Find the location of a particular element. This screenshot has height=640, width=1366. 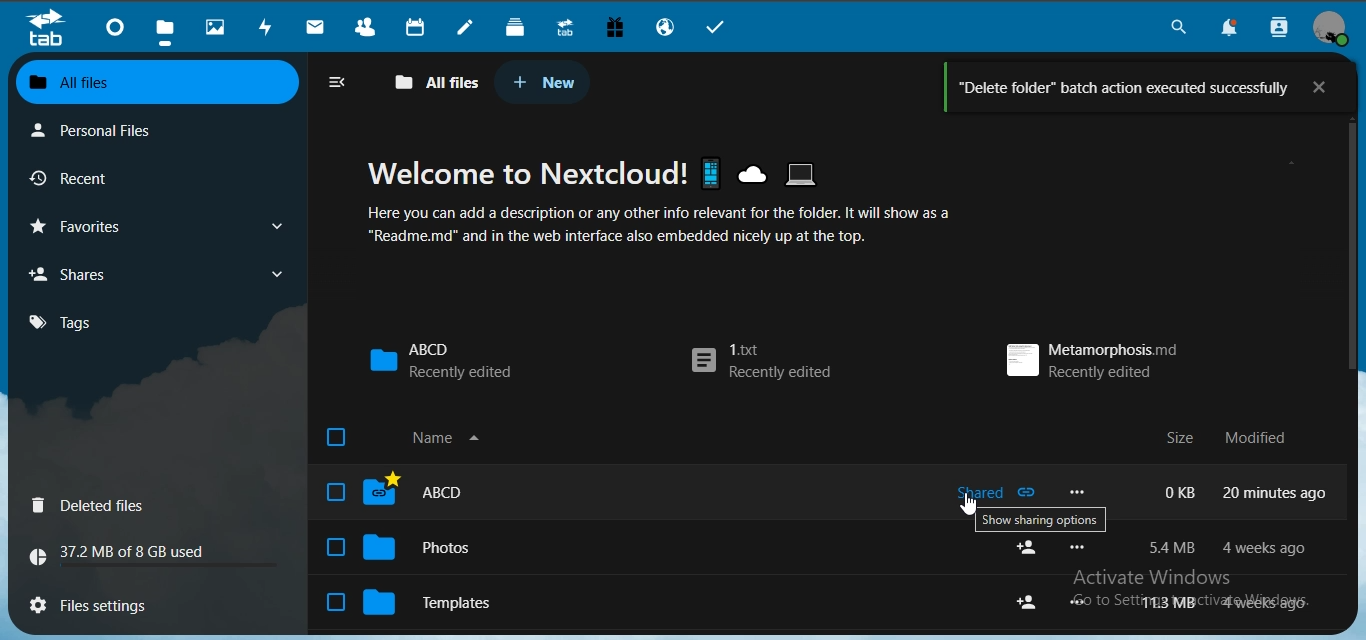

mail is located at coordinates (318, 26).